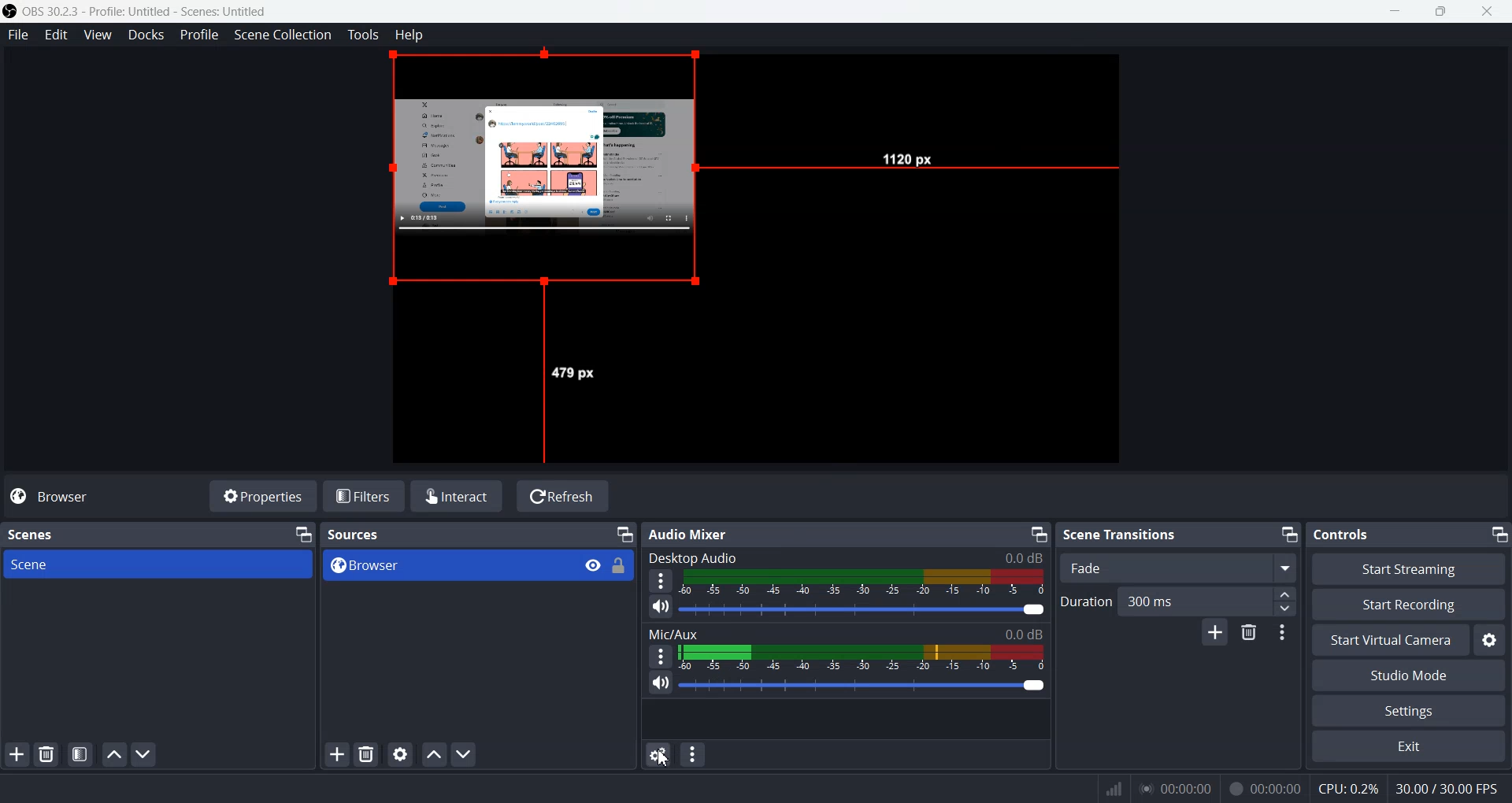  Describe the element at coordinates (146, 35) in the screenshot. I see `Docks` at that location.